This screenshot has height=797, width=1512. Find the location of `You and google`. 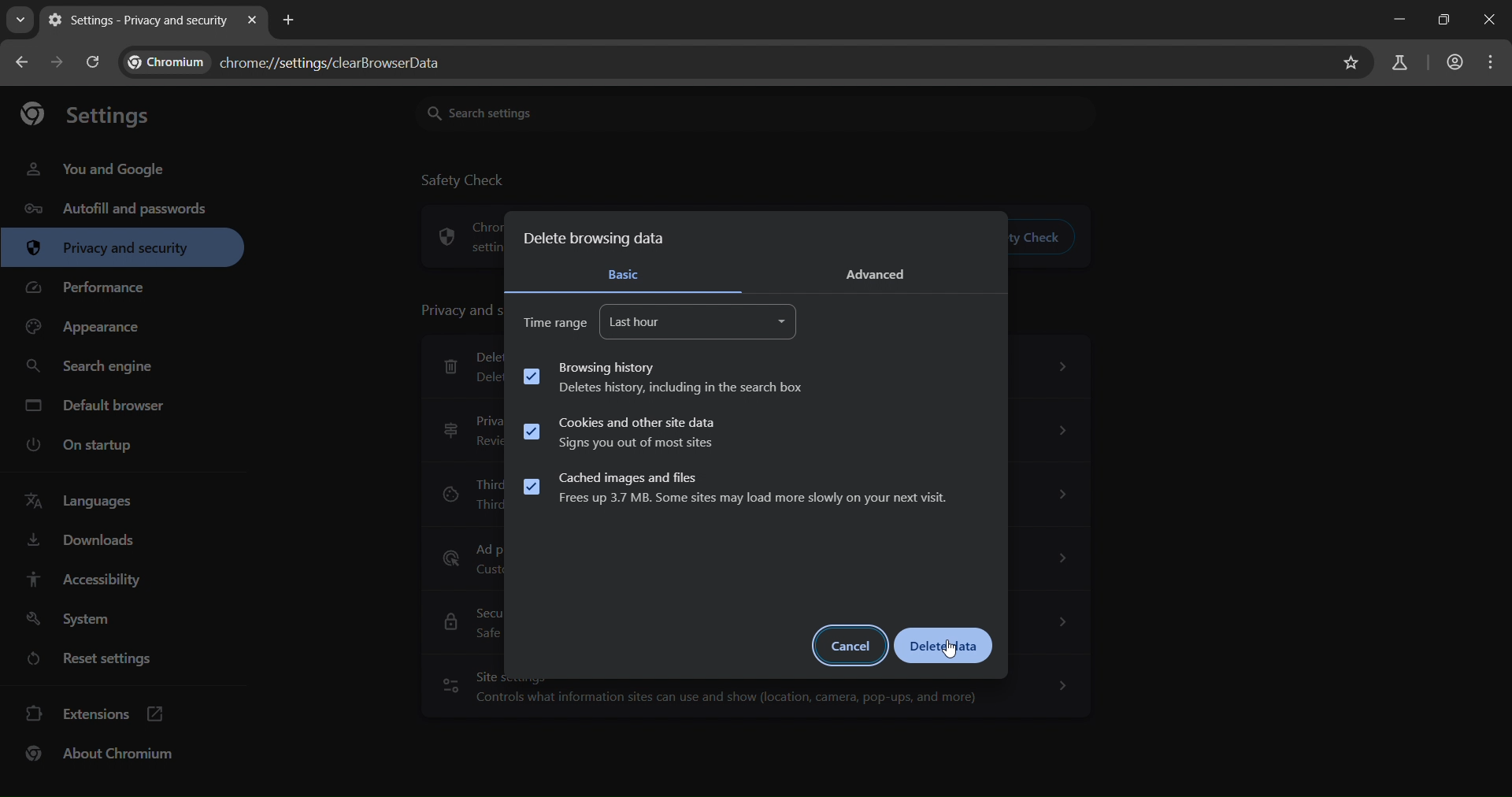

You and google is located at coordinates (93, 172).